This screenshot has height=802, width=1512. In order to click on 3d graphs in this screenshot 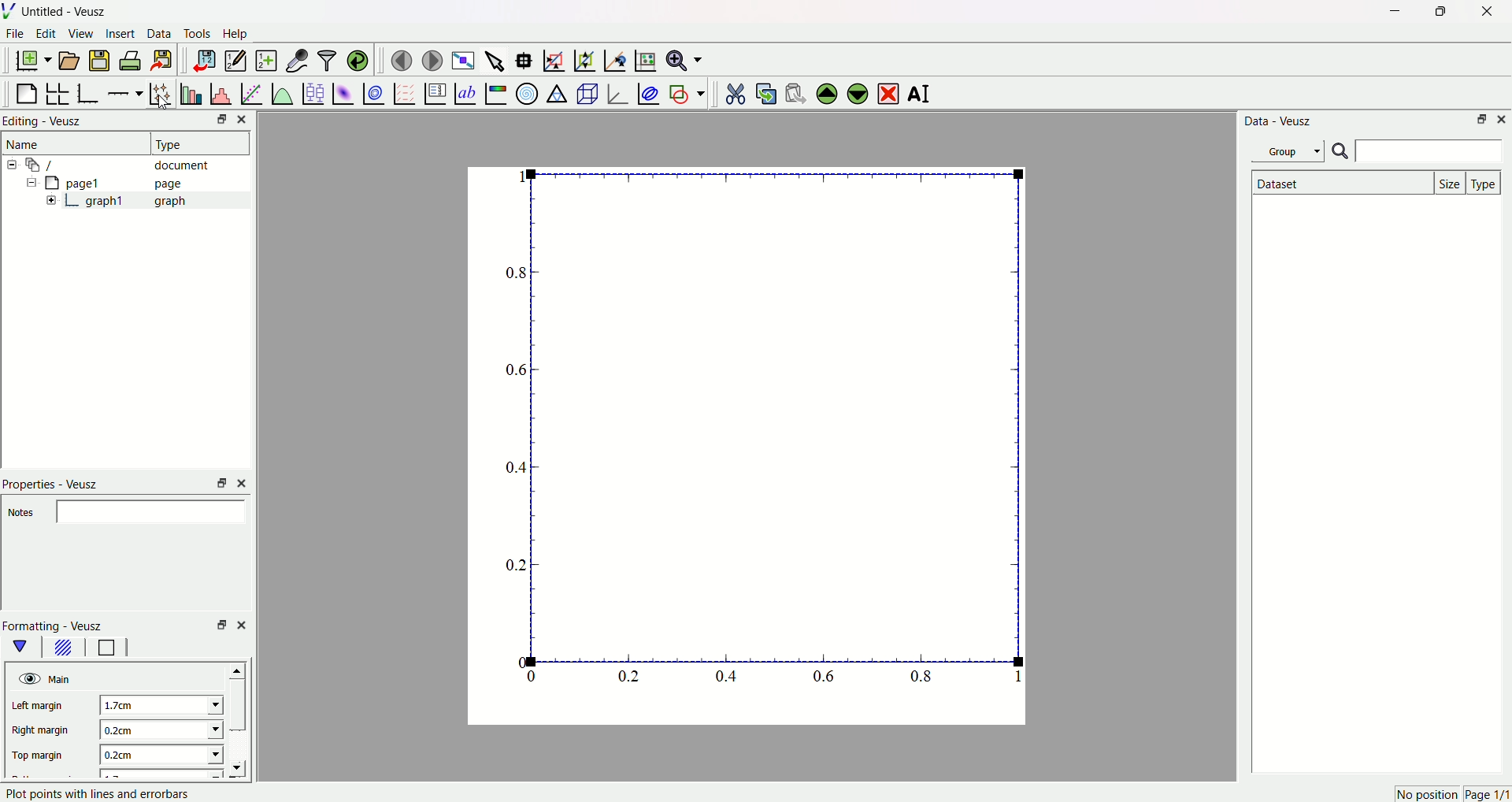, I will do `click(617, 93)`.